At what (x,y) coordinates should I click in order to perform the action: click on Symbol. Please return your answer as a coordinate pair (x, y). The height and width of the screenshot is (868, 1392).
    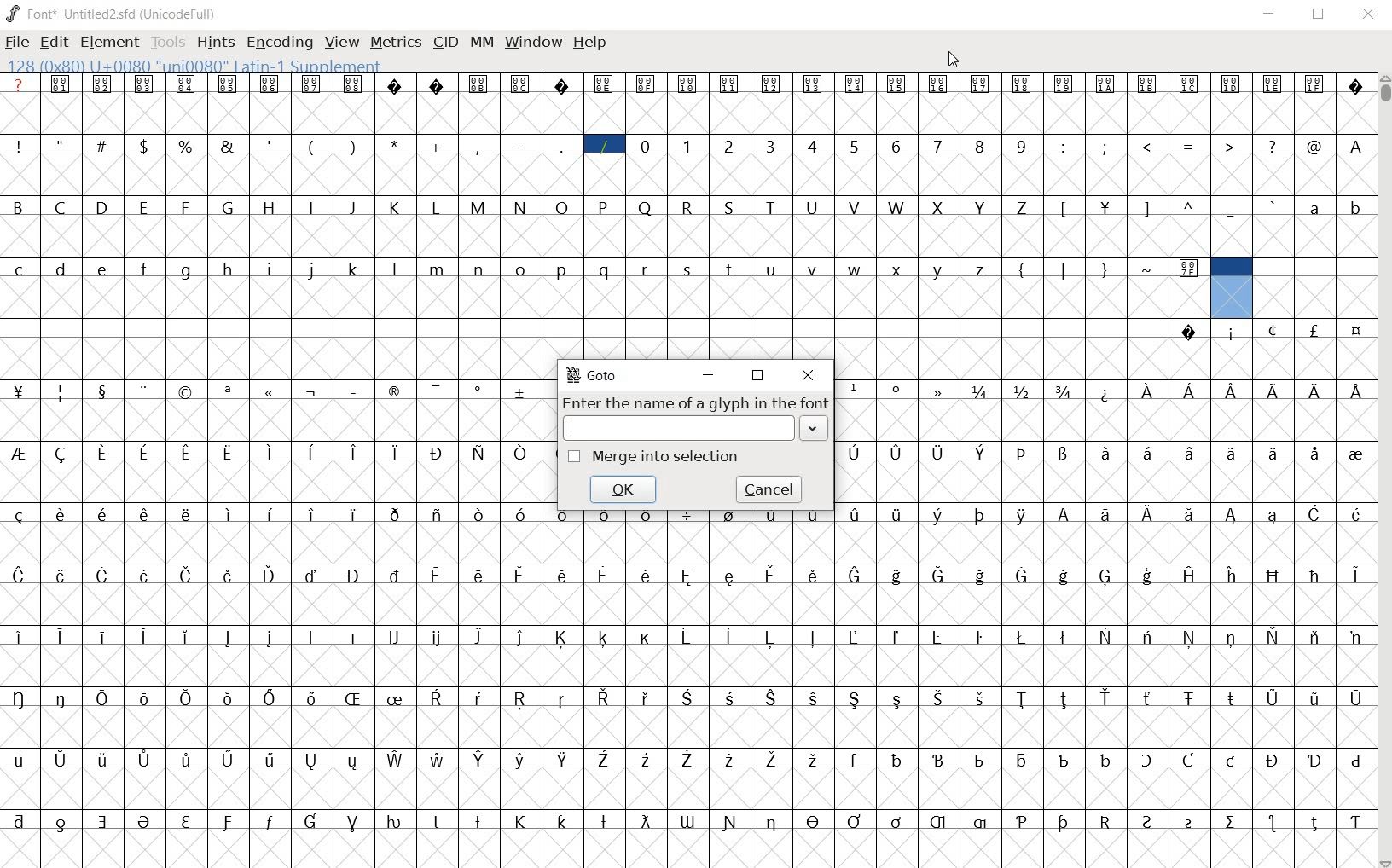
    Looking at the image, I should click on (523, 760).